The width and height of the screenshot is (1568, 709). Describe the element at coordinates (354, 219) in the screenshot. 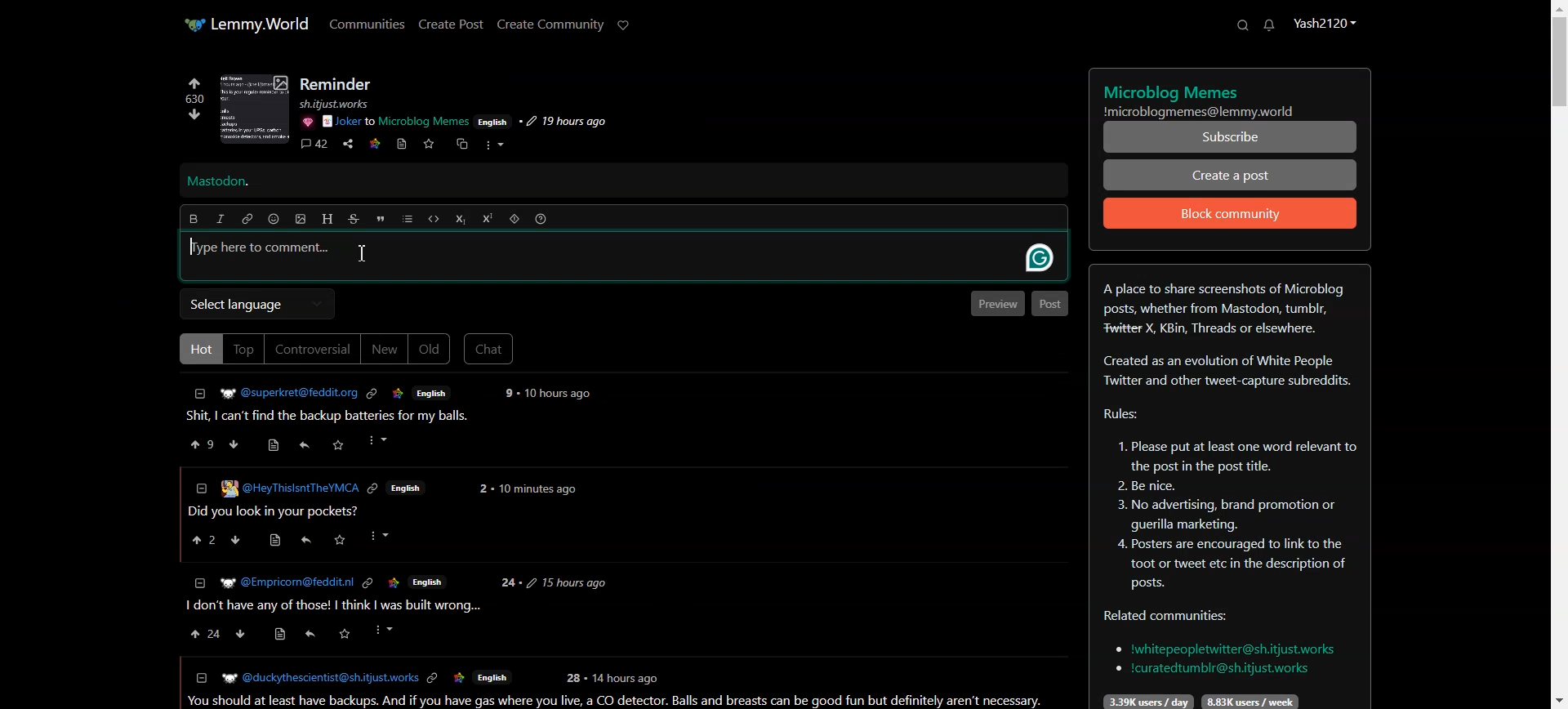

I see `Strikethrough` at that location.